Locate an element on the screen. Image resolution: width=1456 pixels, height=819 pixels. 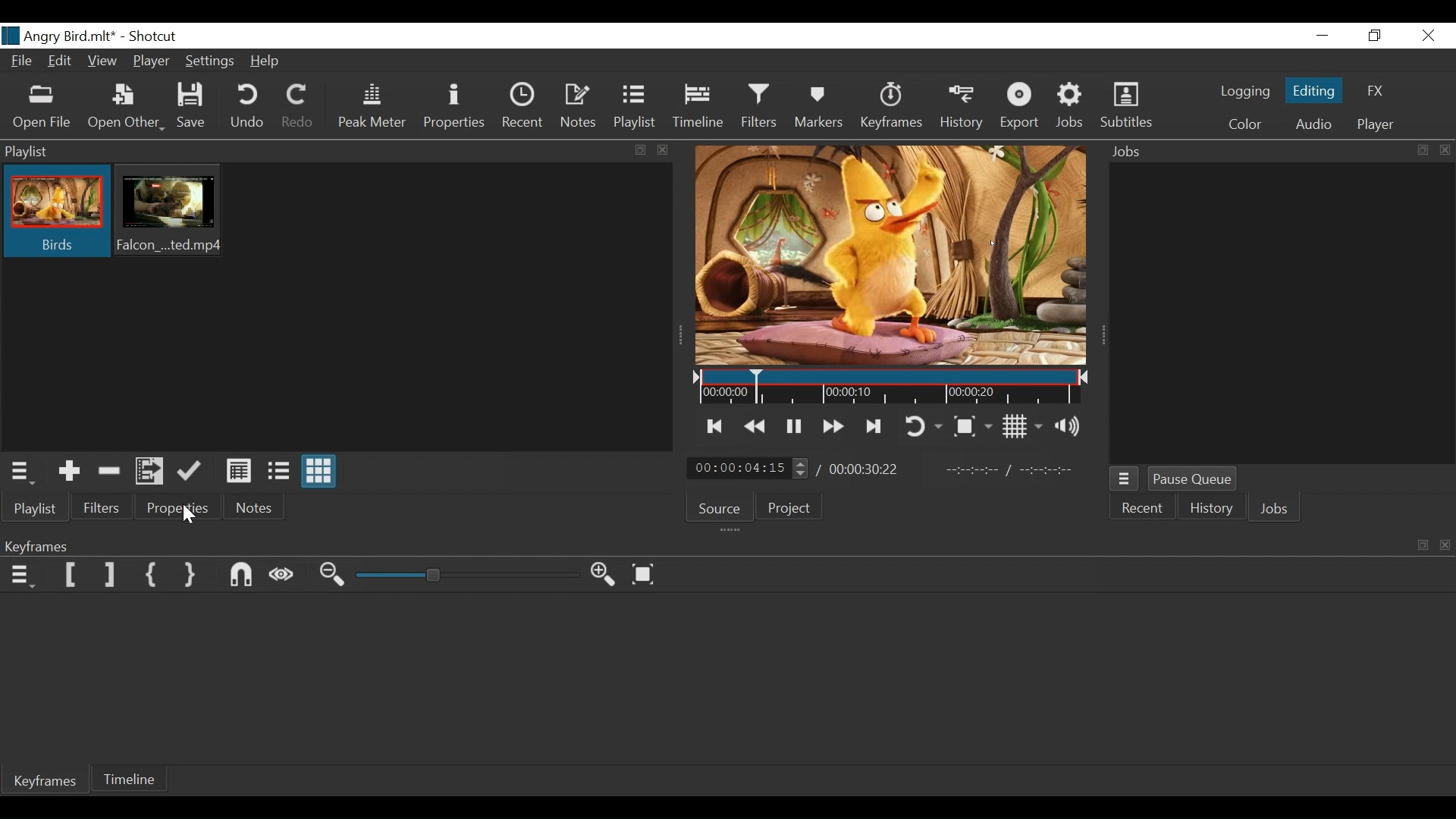
Markers is located at coordinates (823, 108).